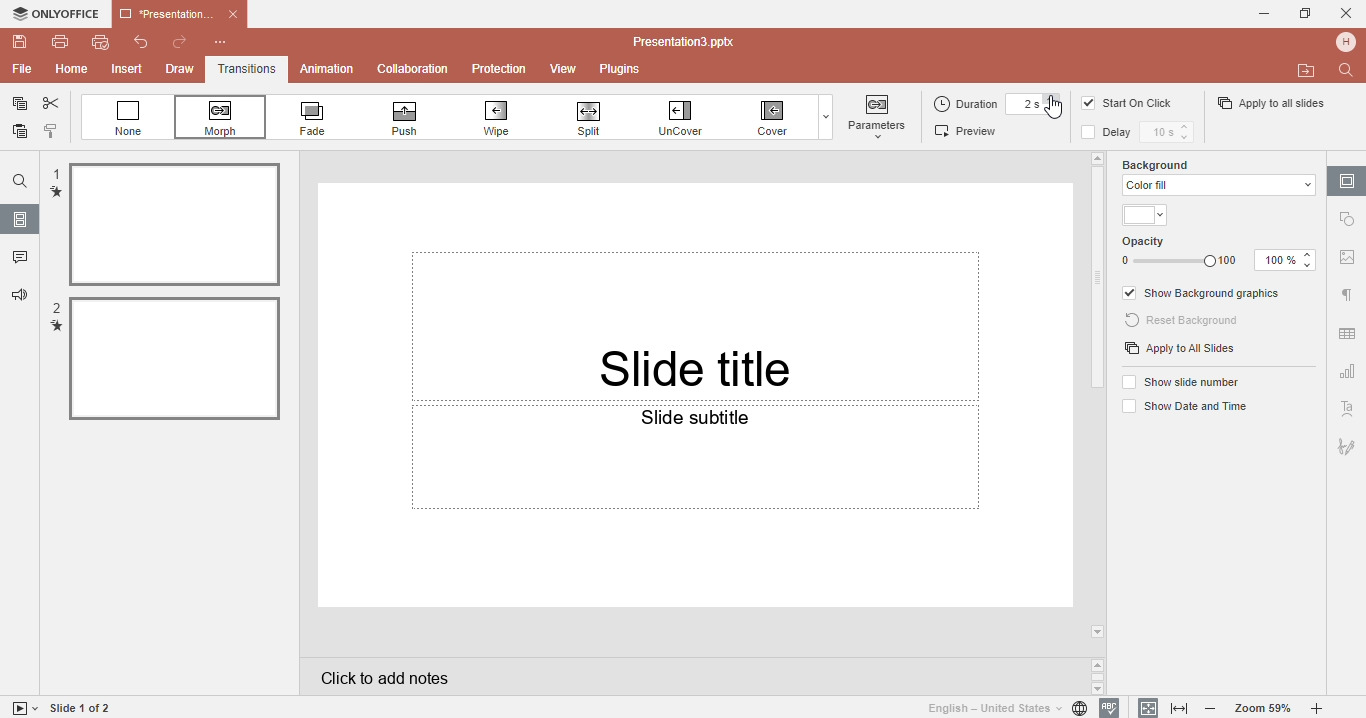 This screenshot has height=718, width=1366. Describe the element at coordinates (57, 328) in the screenshot. I see `transition mark` at that location.